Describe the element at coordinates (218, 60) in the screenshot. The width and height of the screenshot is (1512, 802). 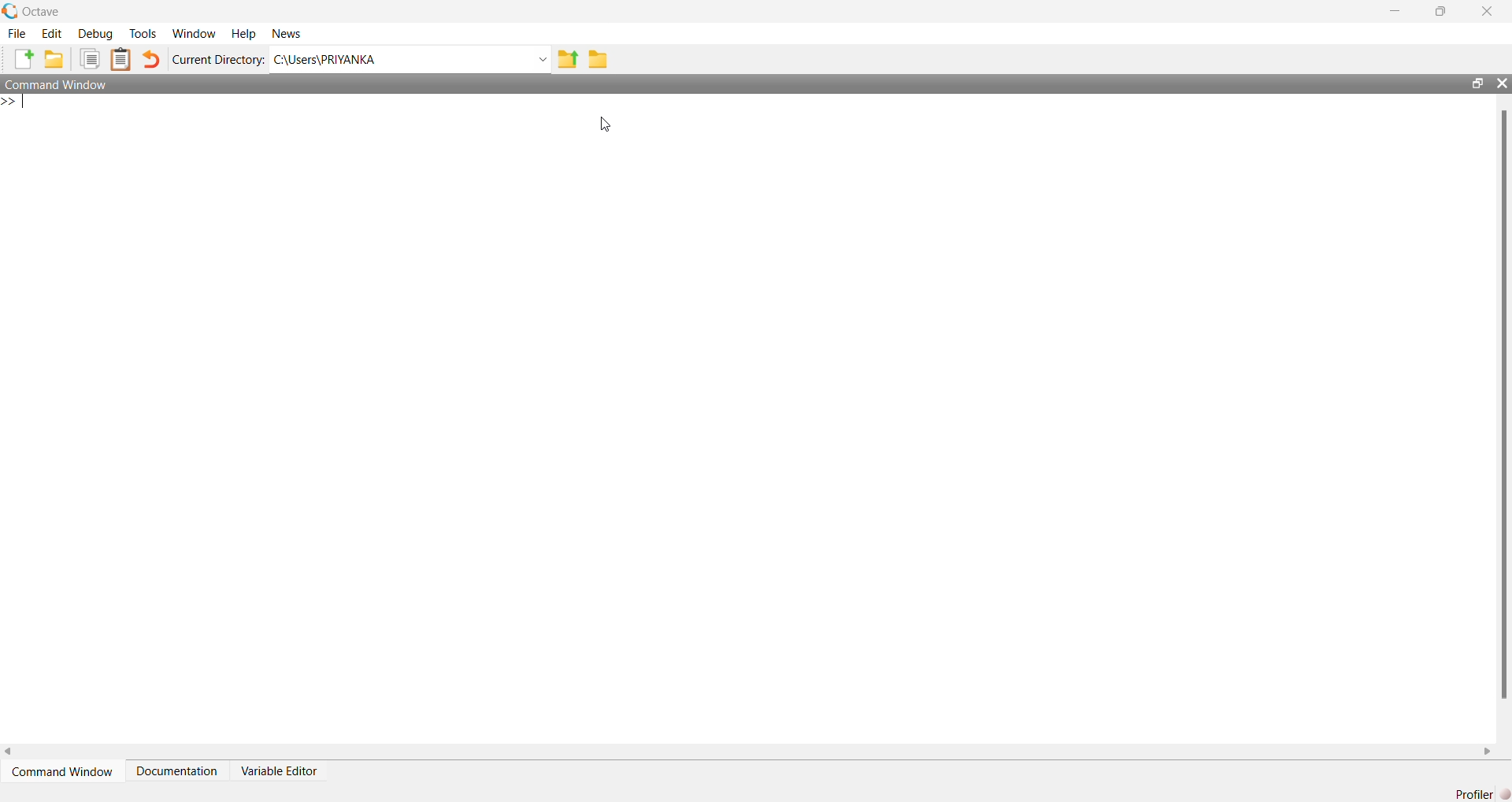
I see `Current Directory:` at that location.